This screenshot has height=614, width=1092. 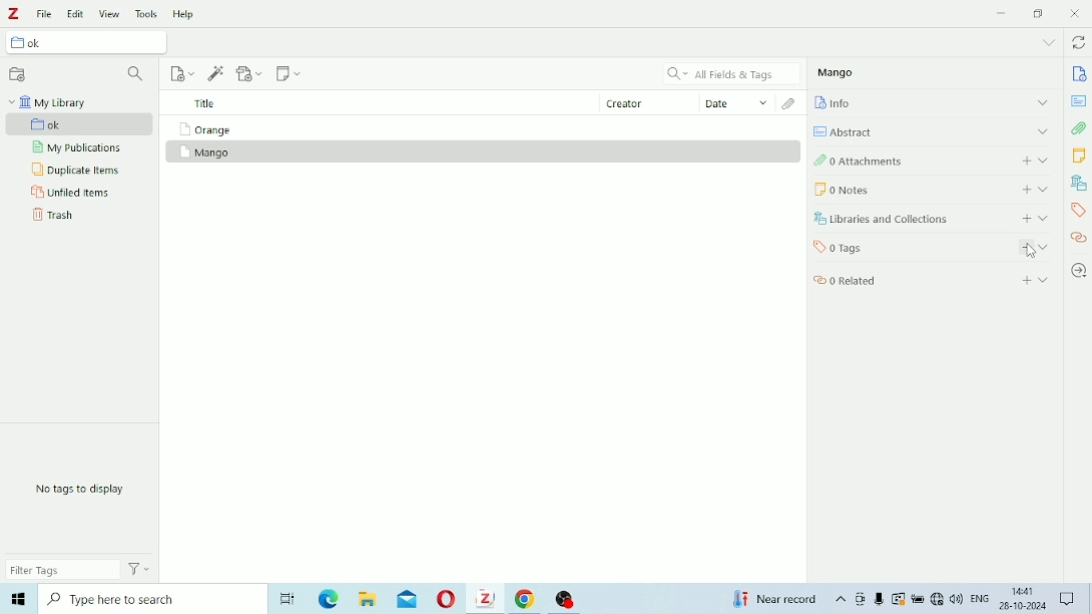 What do you see at coordinates (572, 600) in the screenshot?
I see `OBS Studio` at bounding box center [572, 600].